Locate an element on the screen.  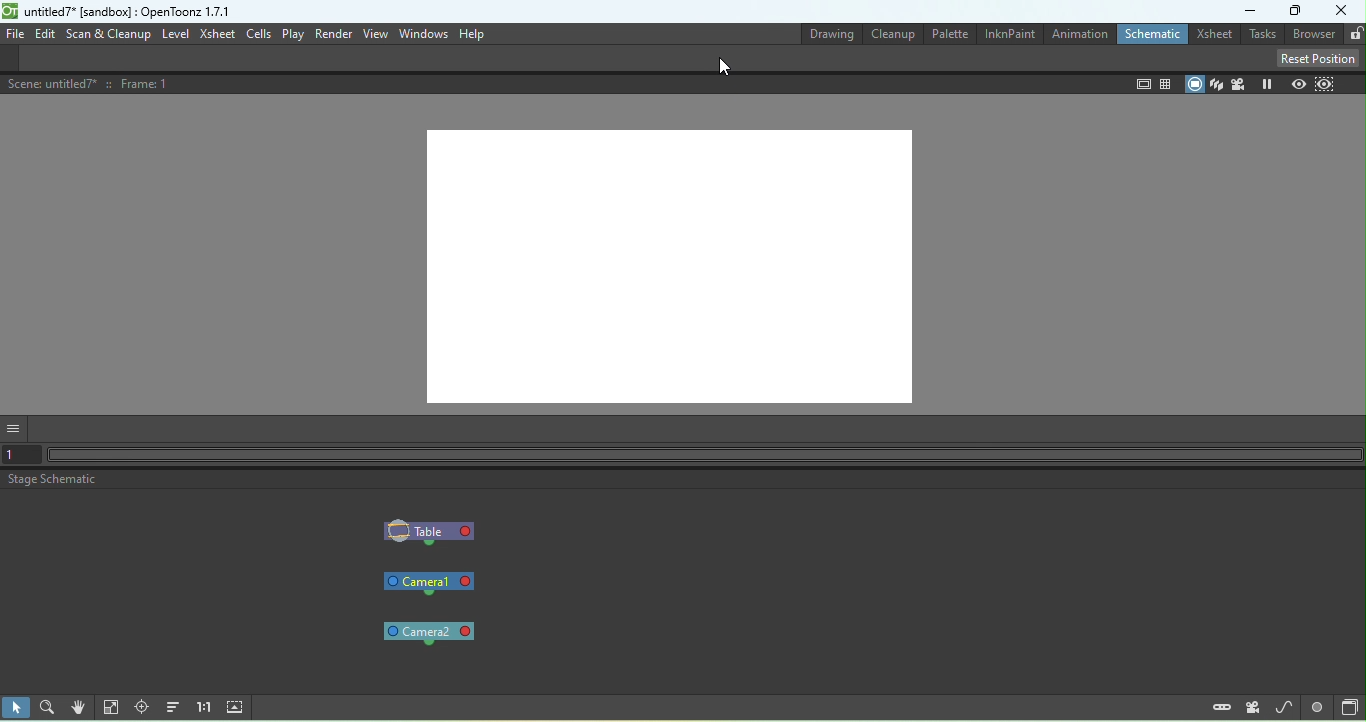
Horizontal scroll bar is located at coordinates (706, 455).